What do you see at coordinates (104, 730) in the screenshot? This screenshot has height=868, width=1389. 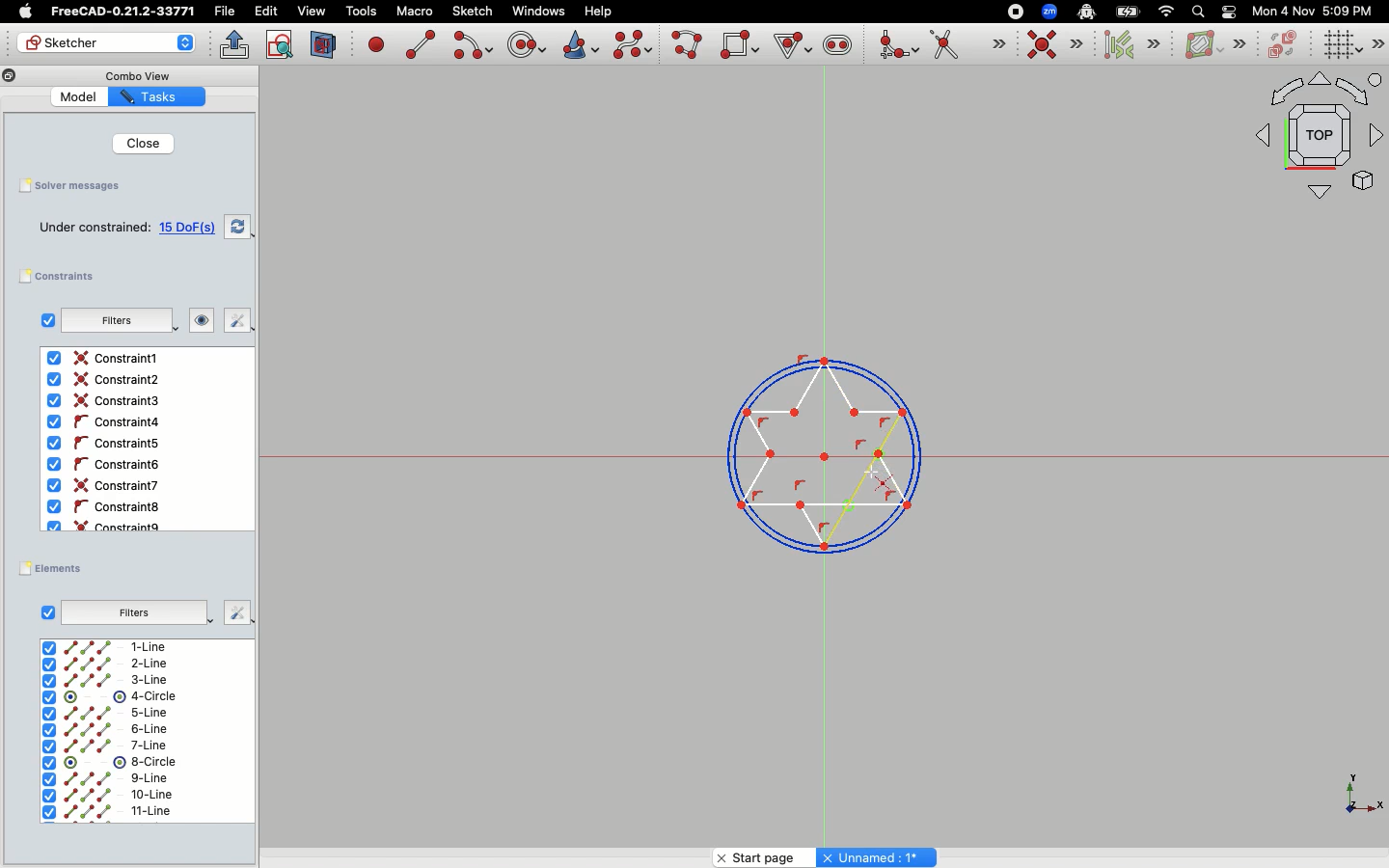 I see `6-line` at bounding box center [104, 730].